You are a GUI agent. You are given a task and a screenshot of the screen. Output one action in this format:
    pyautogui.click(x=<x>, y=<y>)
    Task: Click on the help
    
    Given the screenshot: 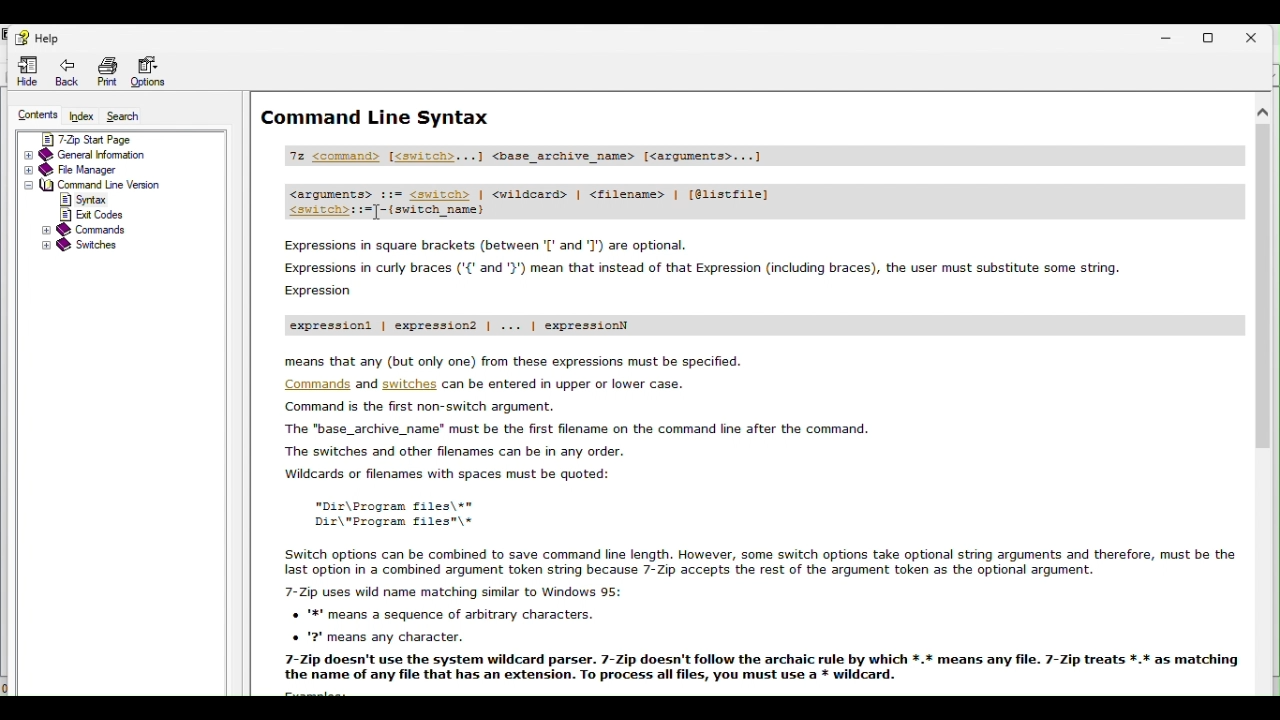 What is the action you would take?
    pyautogui.click(x=38, y=38)
    